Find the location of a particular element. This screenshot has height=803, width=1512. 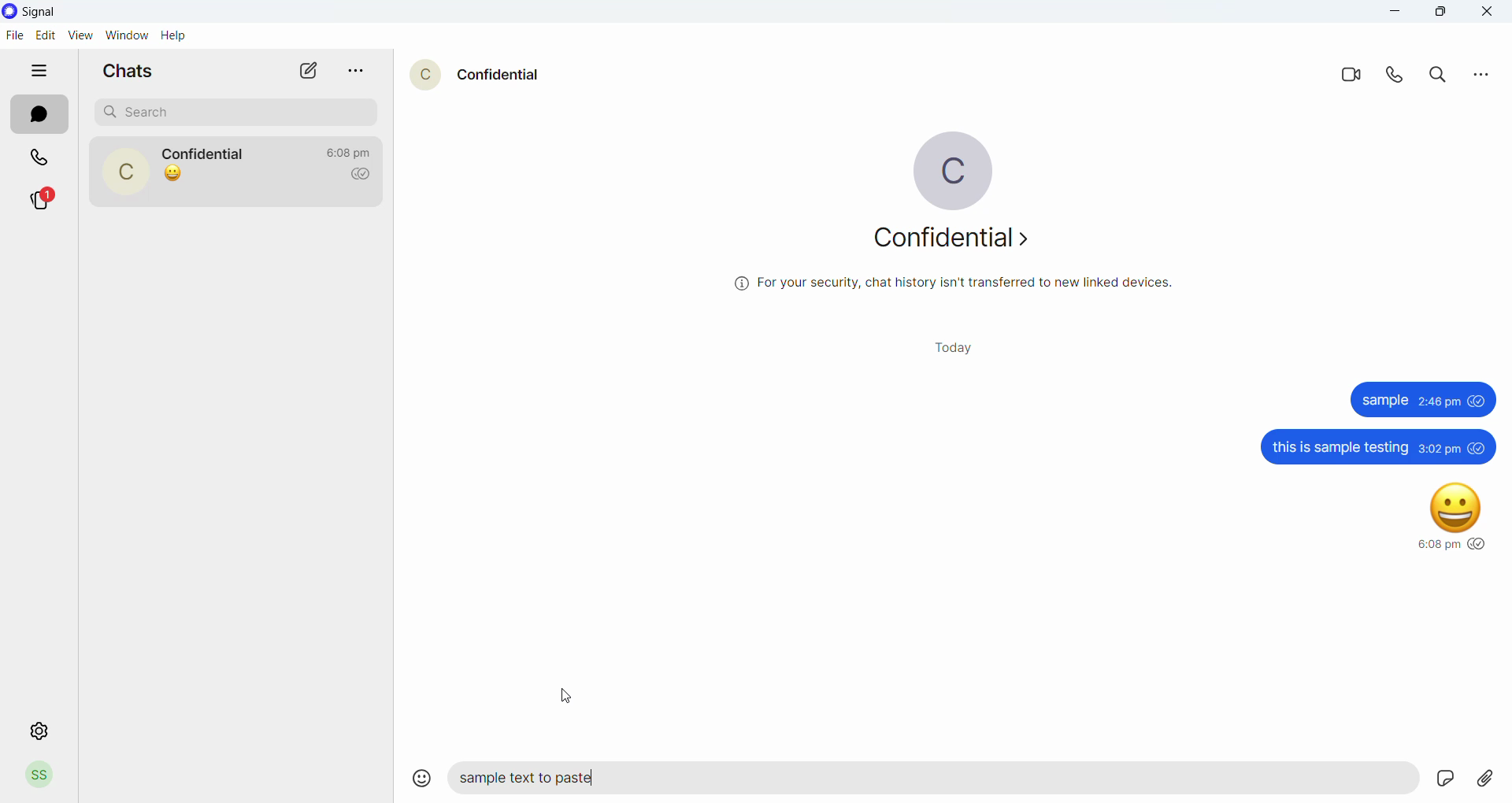

application name and logo is located at coordinates (46, 12).